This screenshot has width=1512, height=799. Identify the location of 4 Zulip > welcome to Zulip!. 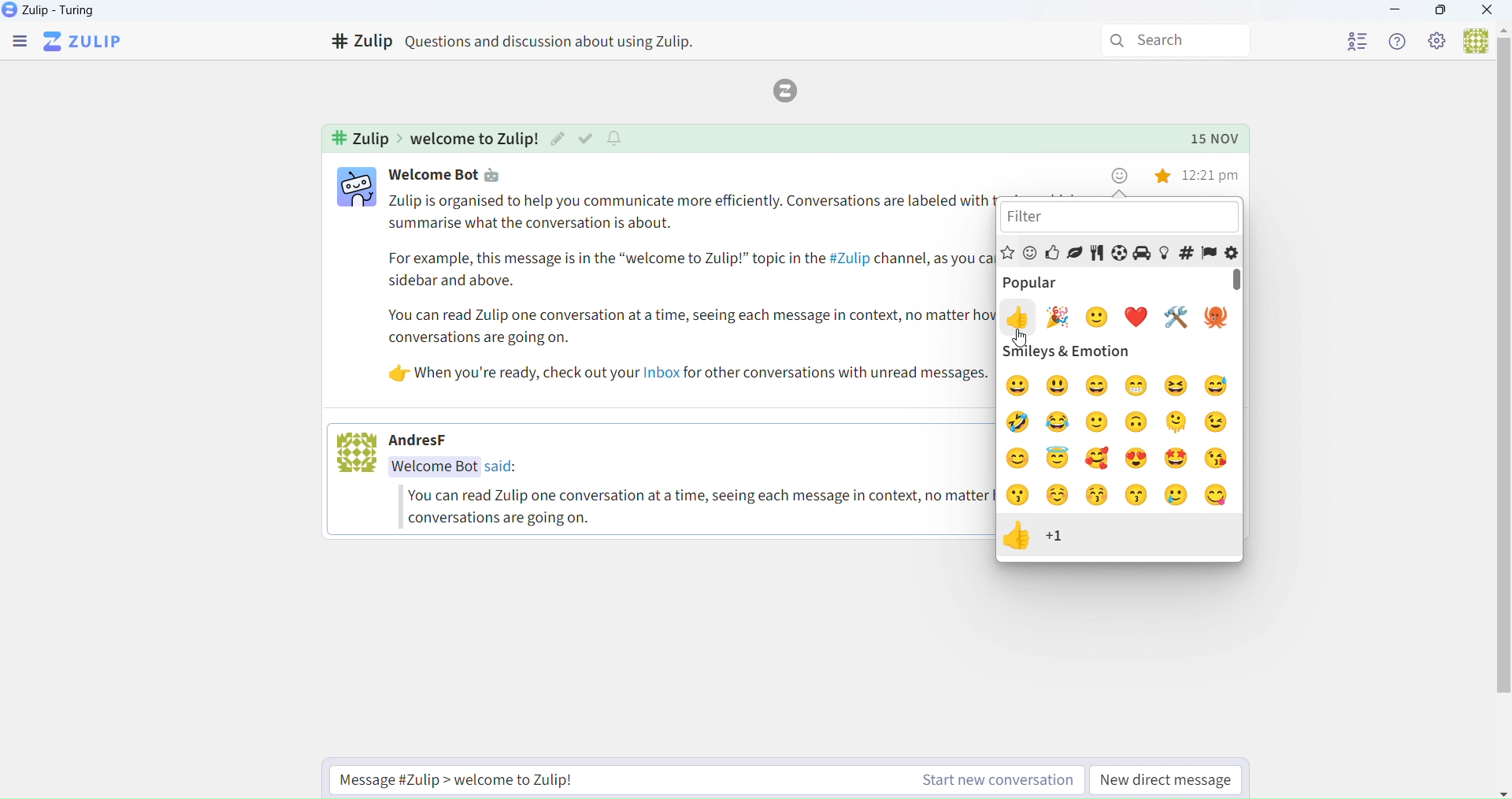
(431, 138).